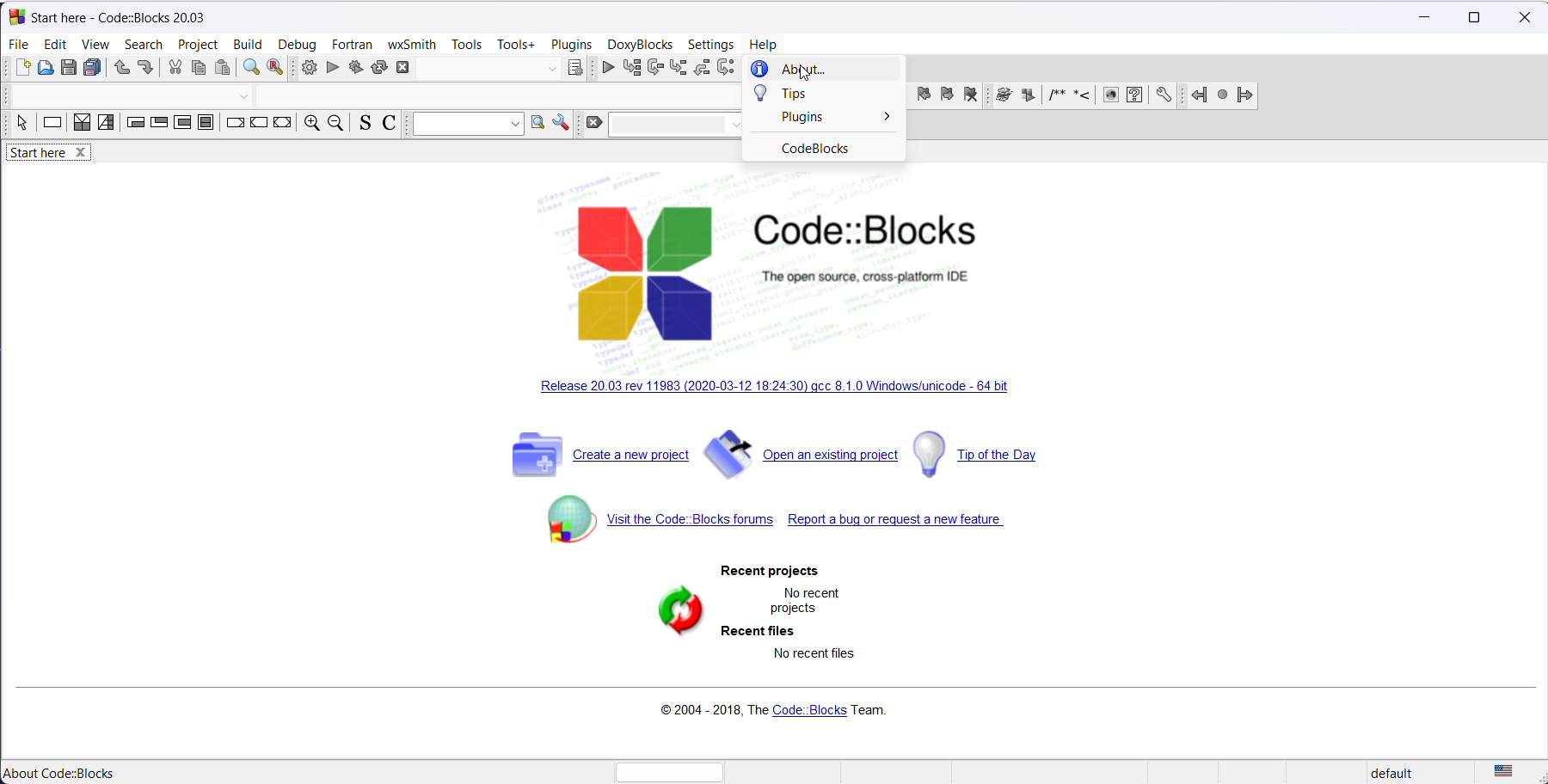 This screenshot has width=1548, height=784. What do you see at coordinates (389, 125) in the screenshot?
I see `toggle comments ` at bounding box center [389, 125].